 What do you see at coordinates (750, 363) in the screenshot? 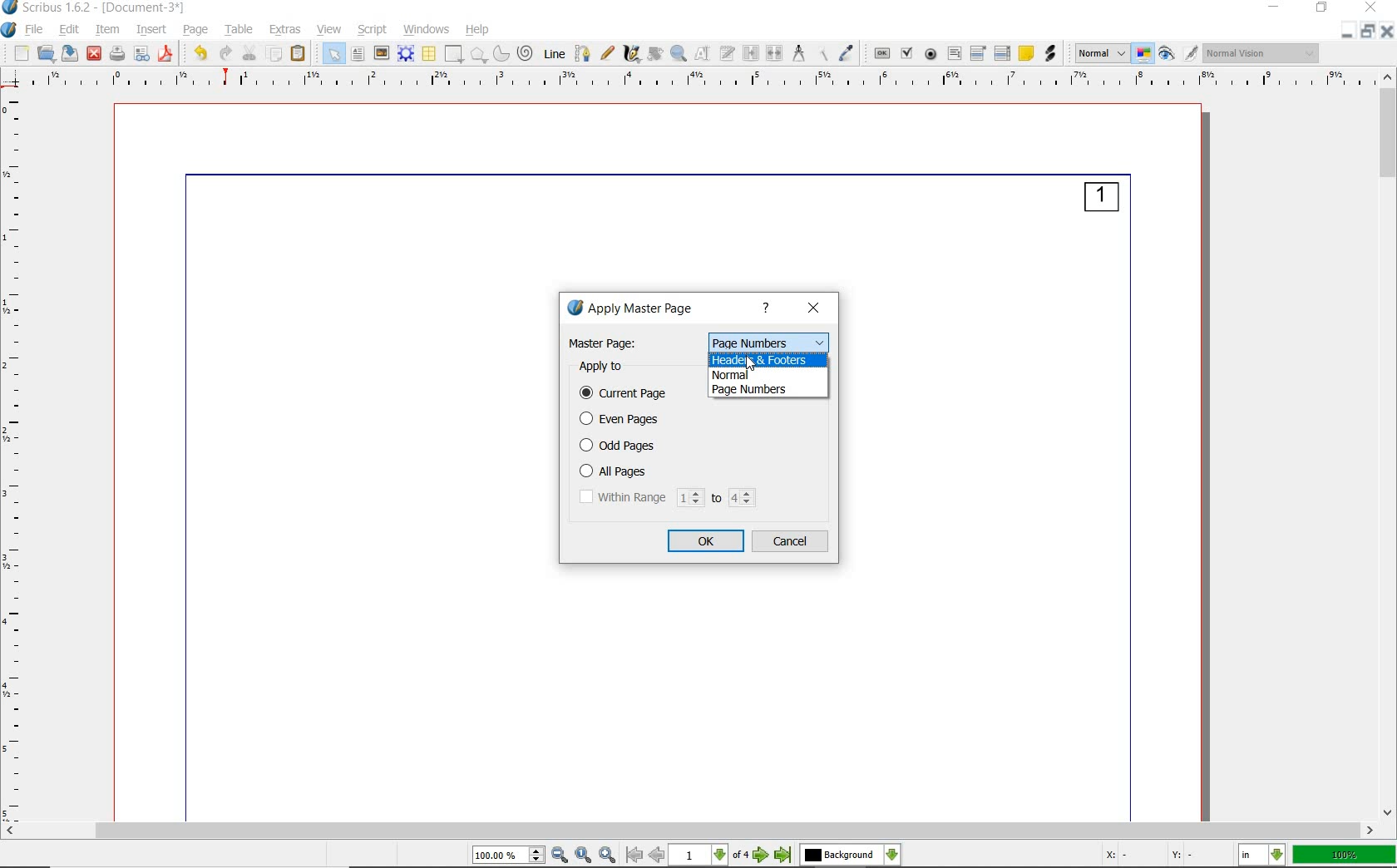
I see `Cursor` at bounding box center [750, 363].